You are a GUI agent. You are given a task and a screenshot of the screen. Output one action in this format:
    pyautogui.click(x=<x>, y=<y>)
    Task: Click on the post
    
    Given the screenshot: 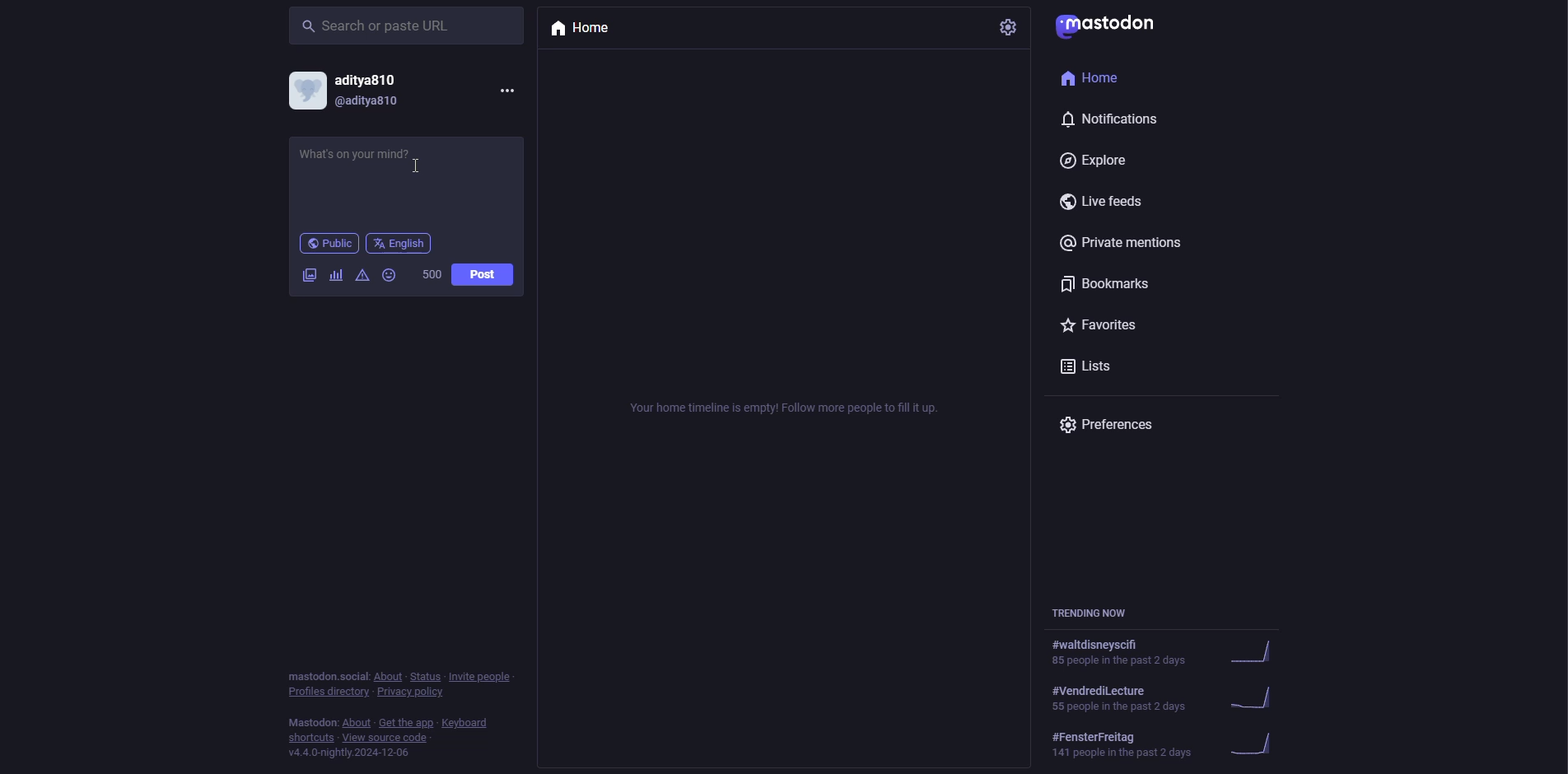 What is the action you would take?
    pyautogui.click(x=482, y=275)
    